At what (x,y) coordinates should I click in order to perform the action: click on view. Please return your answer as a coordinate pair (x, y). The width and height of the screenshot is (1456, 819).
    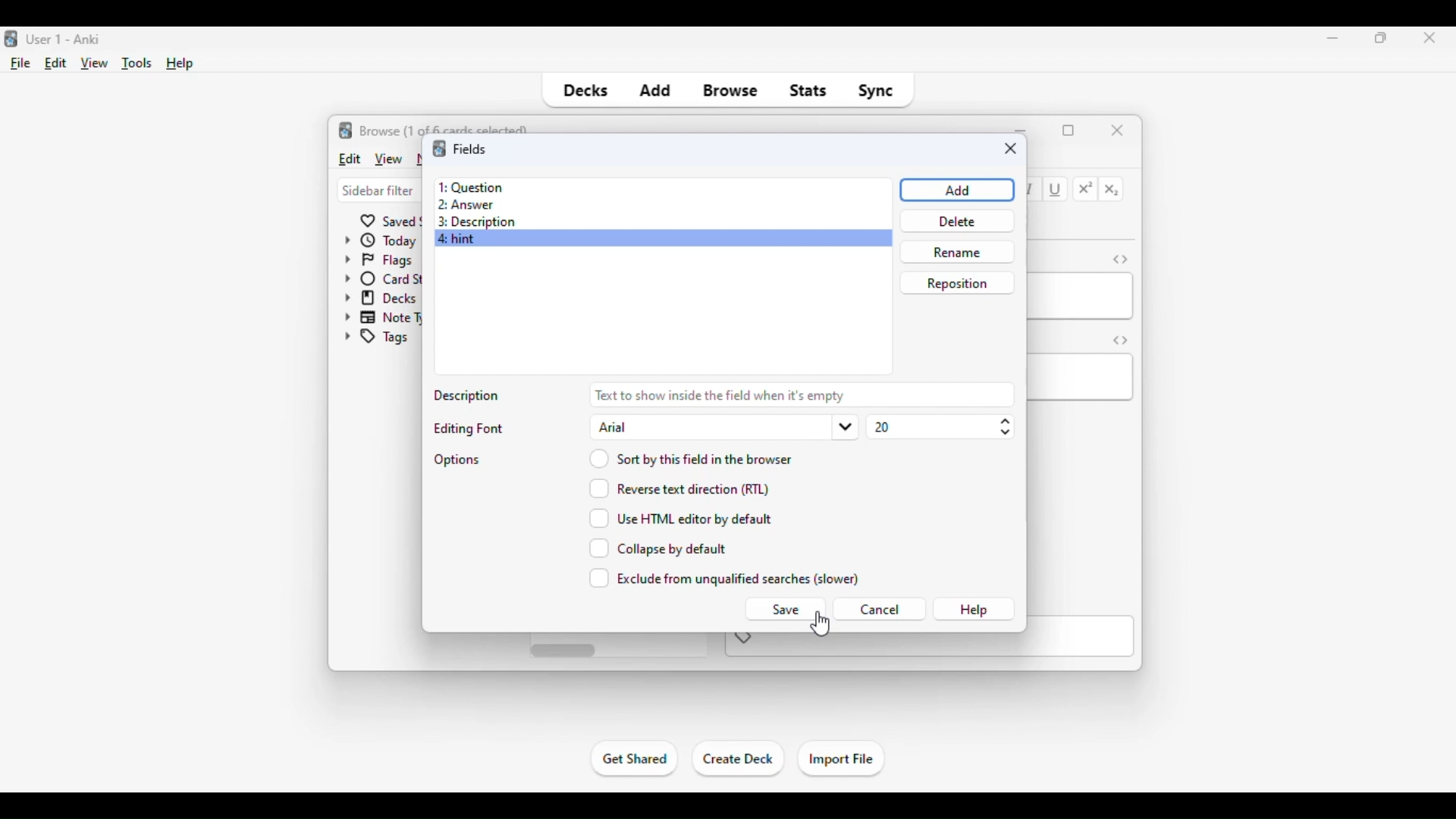
    Looking at the image, I should click on (388, 158).